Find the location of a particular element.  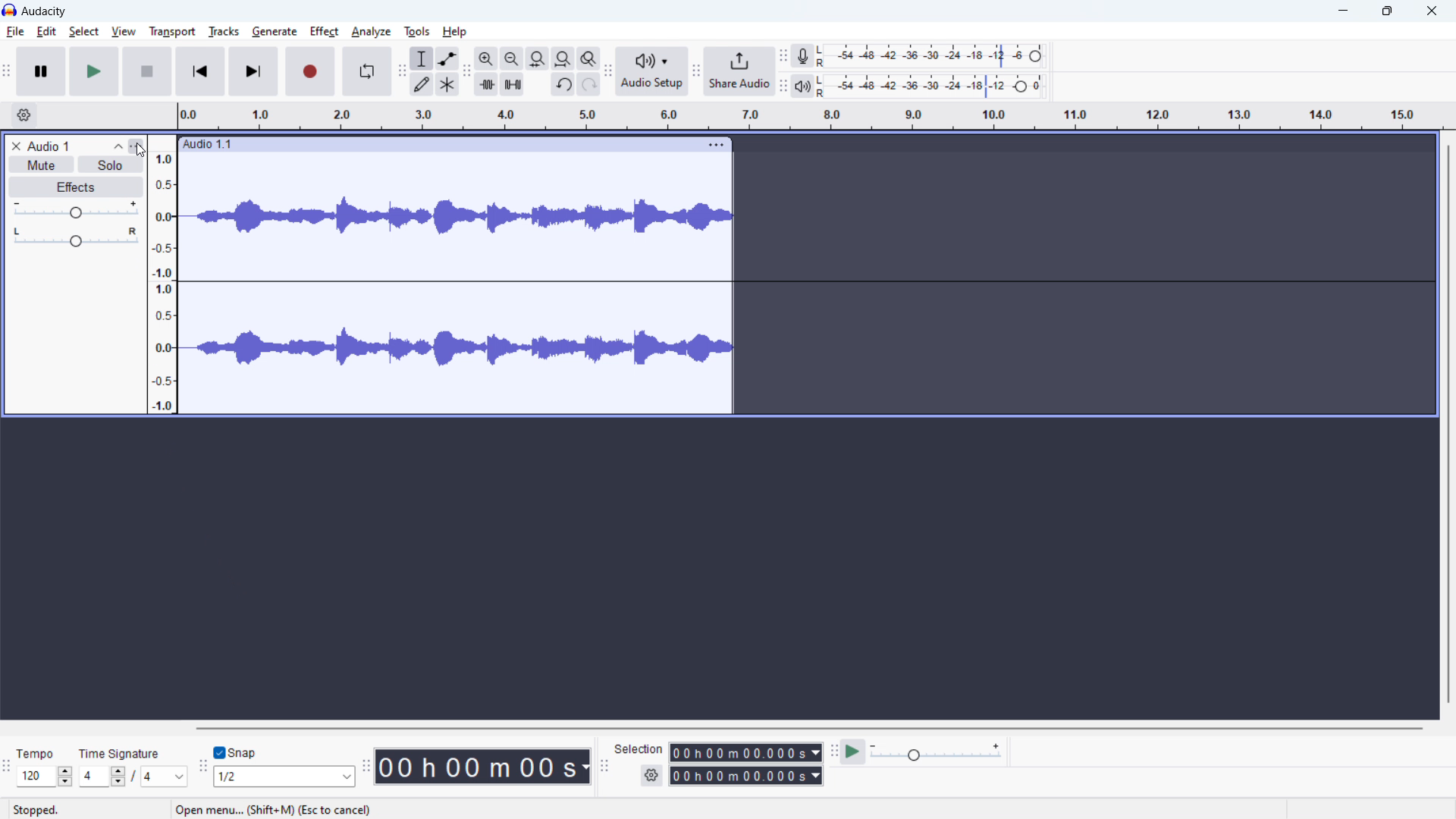

horizontal scrollbar is located at coordinates (811, 728).